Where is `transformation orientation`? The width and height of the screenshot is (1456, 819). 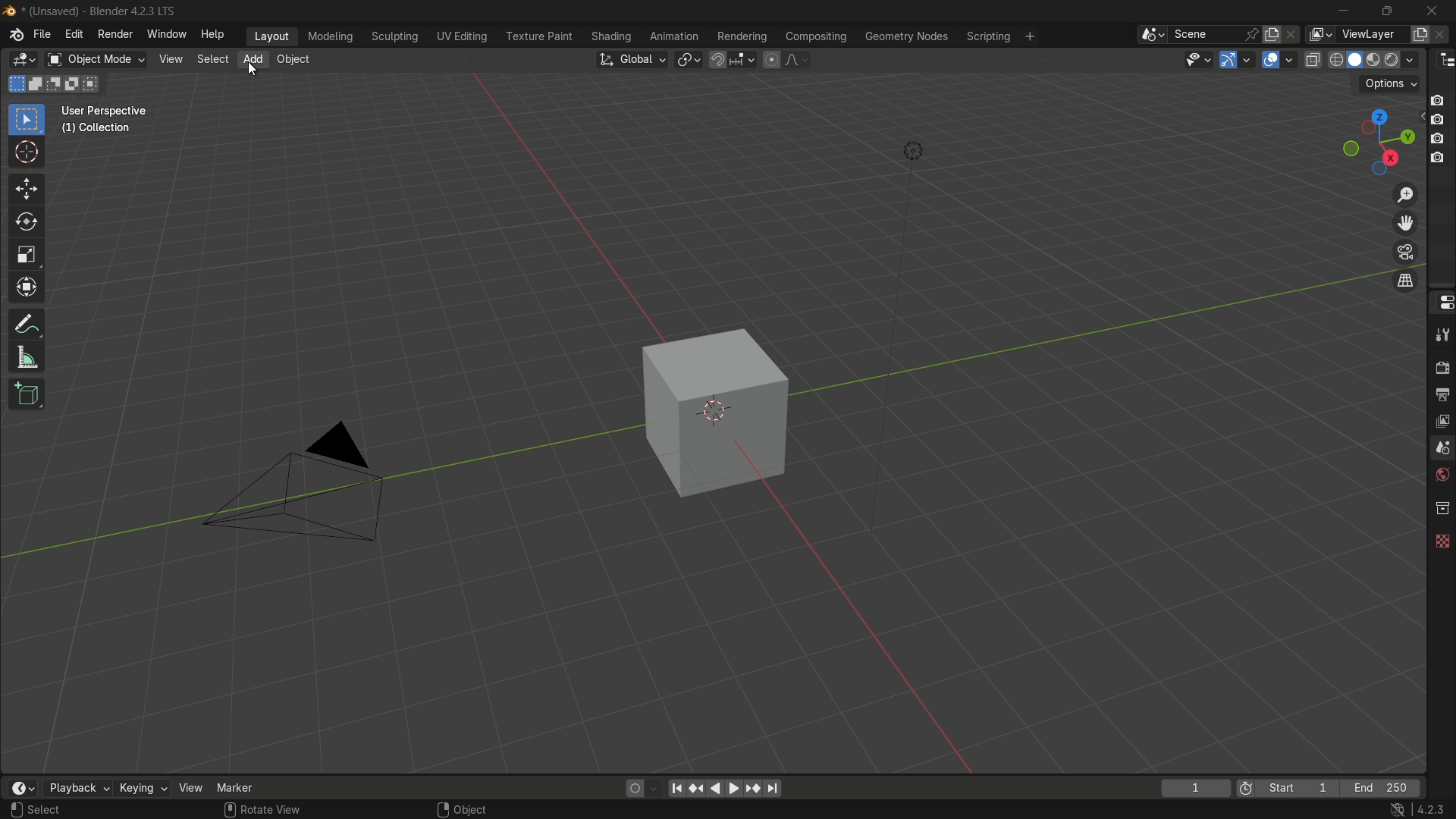
transformation orientation is located at coordinates (632, 59).